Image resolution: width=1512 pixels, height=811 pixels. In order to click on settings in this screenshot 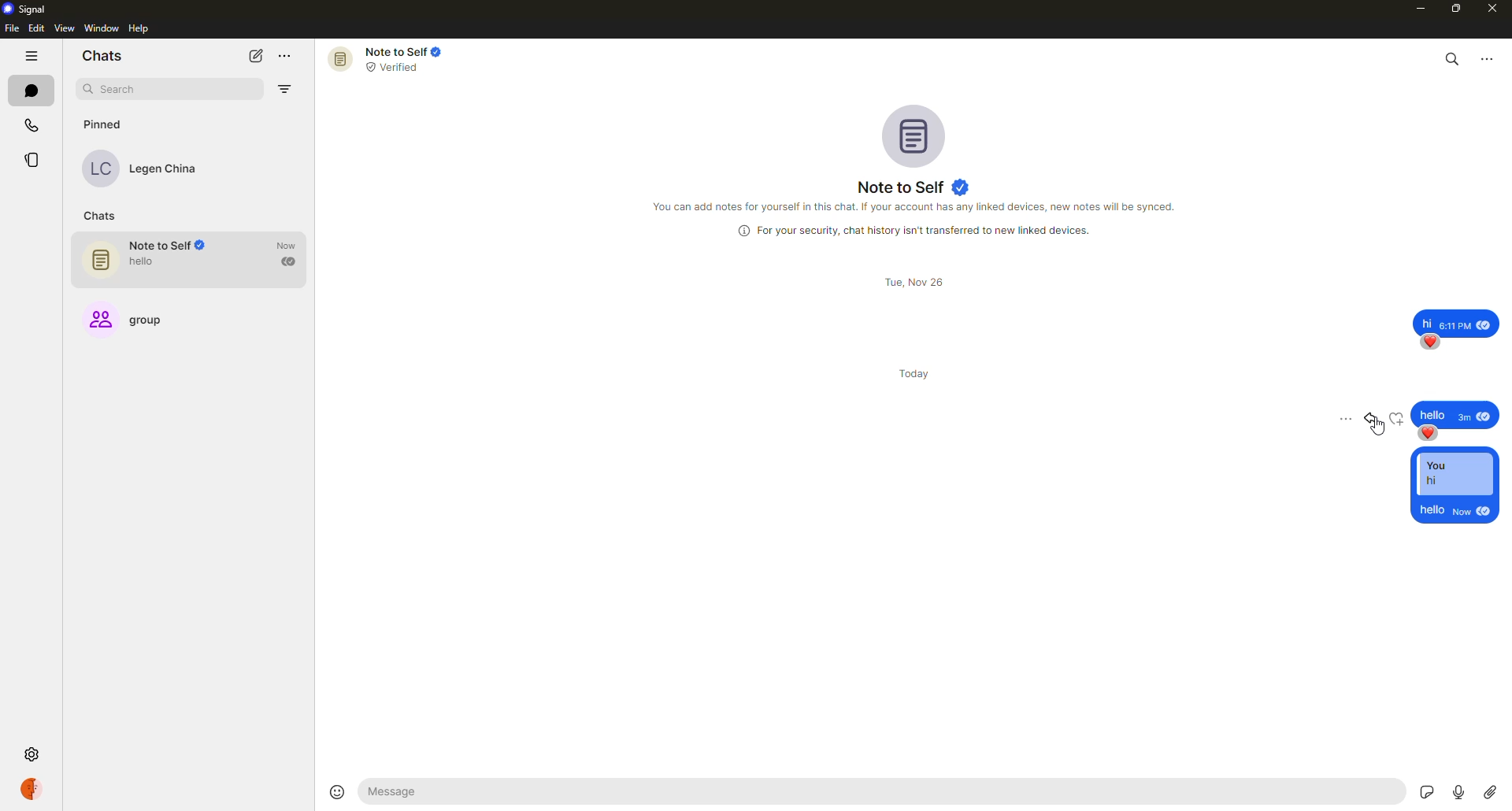, I will do `click(33, 752)`.